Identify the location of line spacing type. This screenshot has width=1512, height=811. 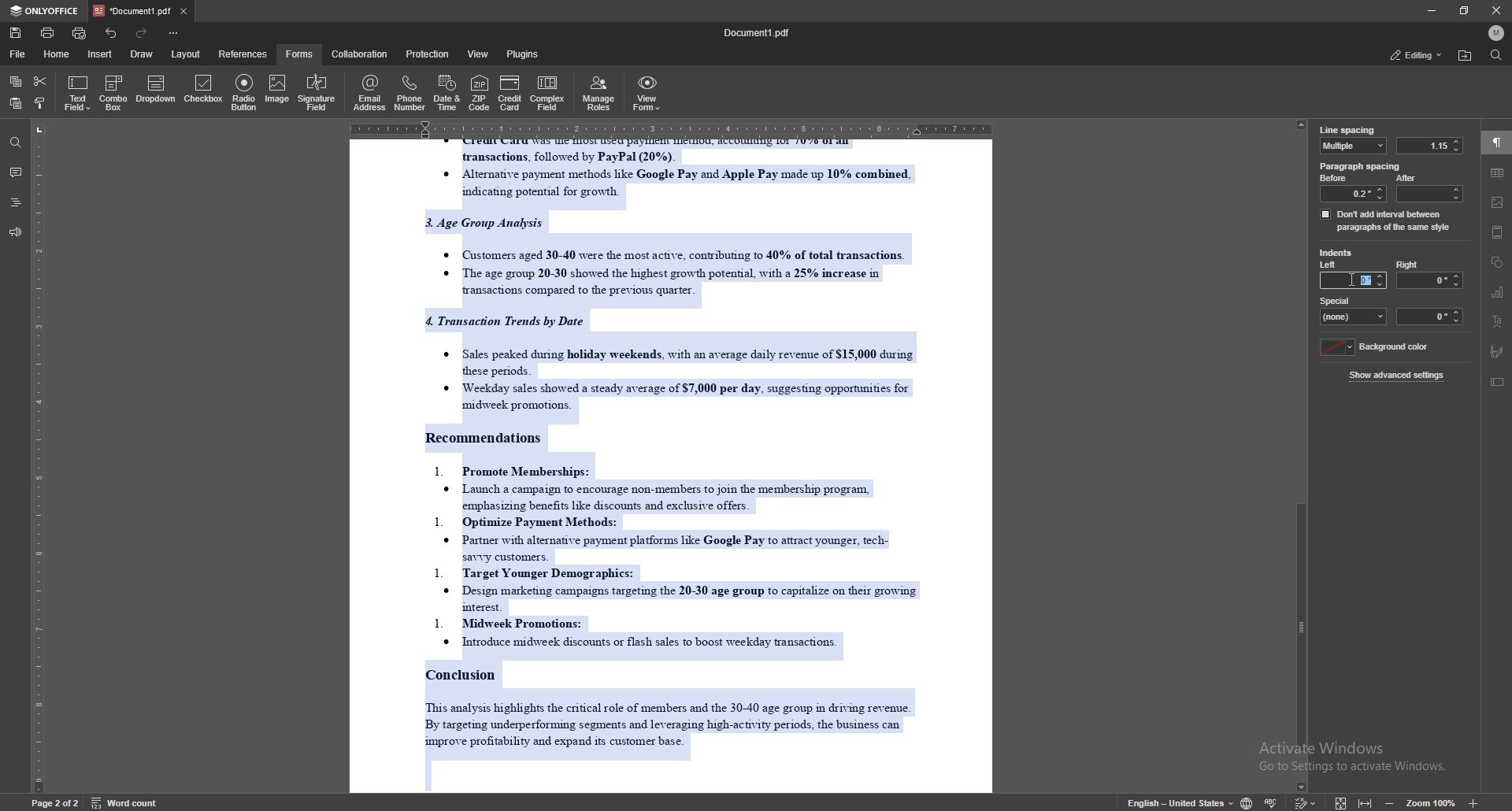
(1354, 146).